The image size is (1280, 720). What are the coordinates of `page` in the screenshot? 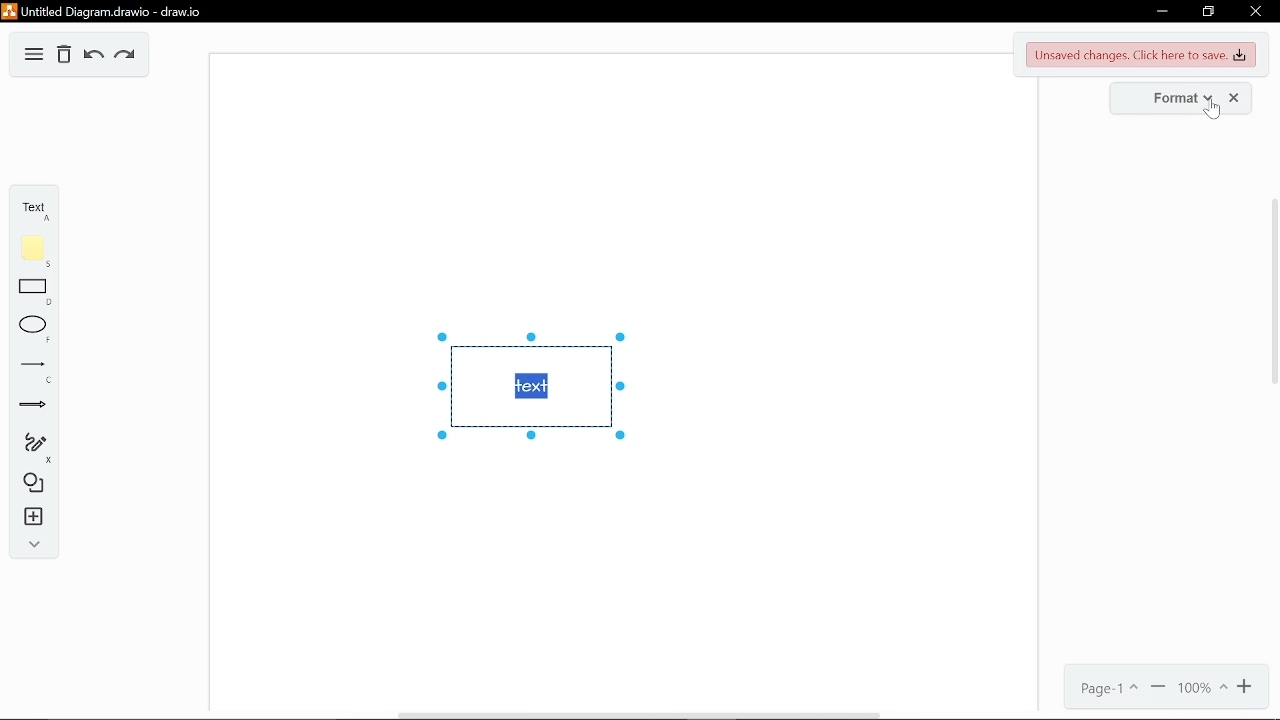 It's located at (1105, 686).